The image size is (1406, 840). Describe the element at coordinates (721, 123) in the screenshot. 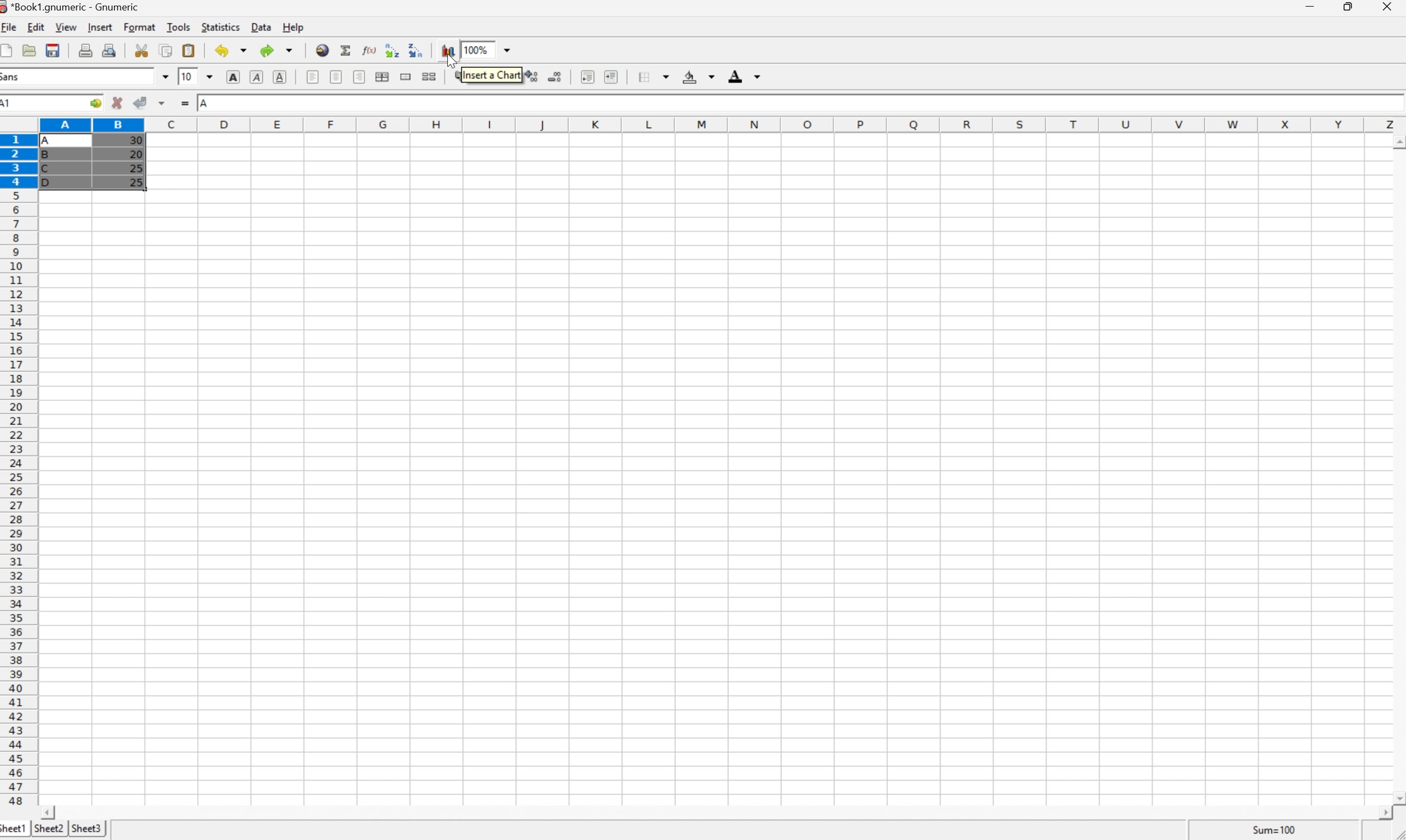

I see `Column names` at that location.